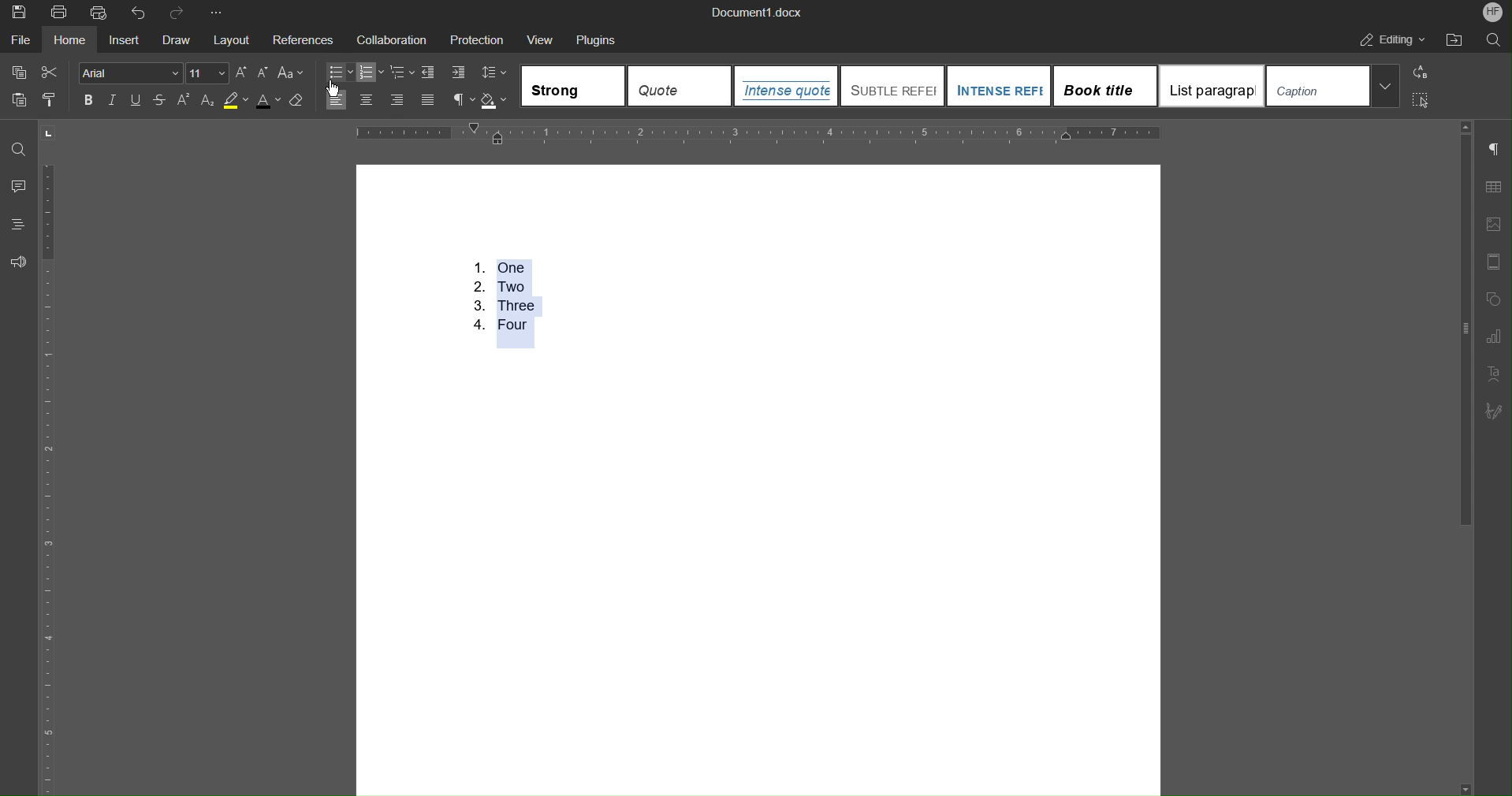  What do you see at coordinates (1493, 11) in the screenshot?
I see `Account` at bounding box center [1493, 11].